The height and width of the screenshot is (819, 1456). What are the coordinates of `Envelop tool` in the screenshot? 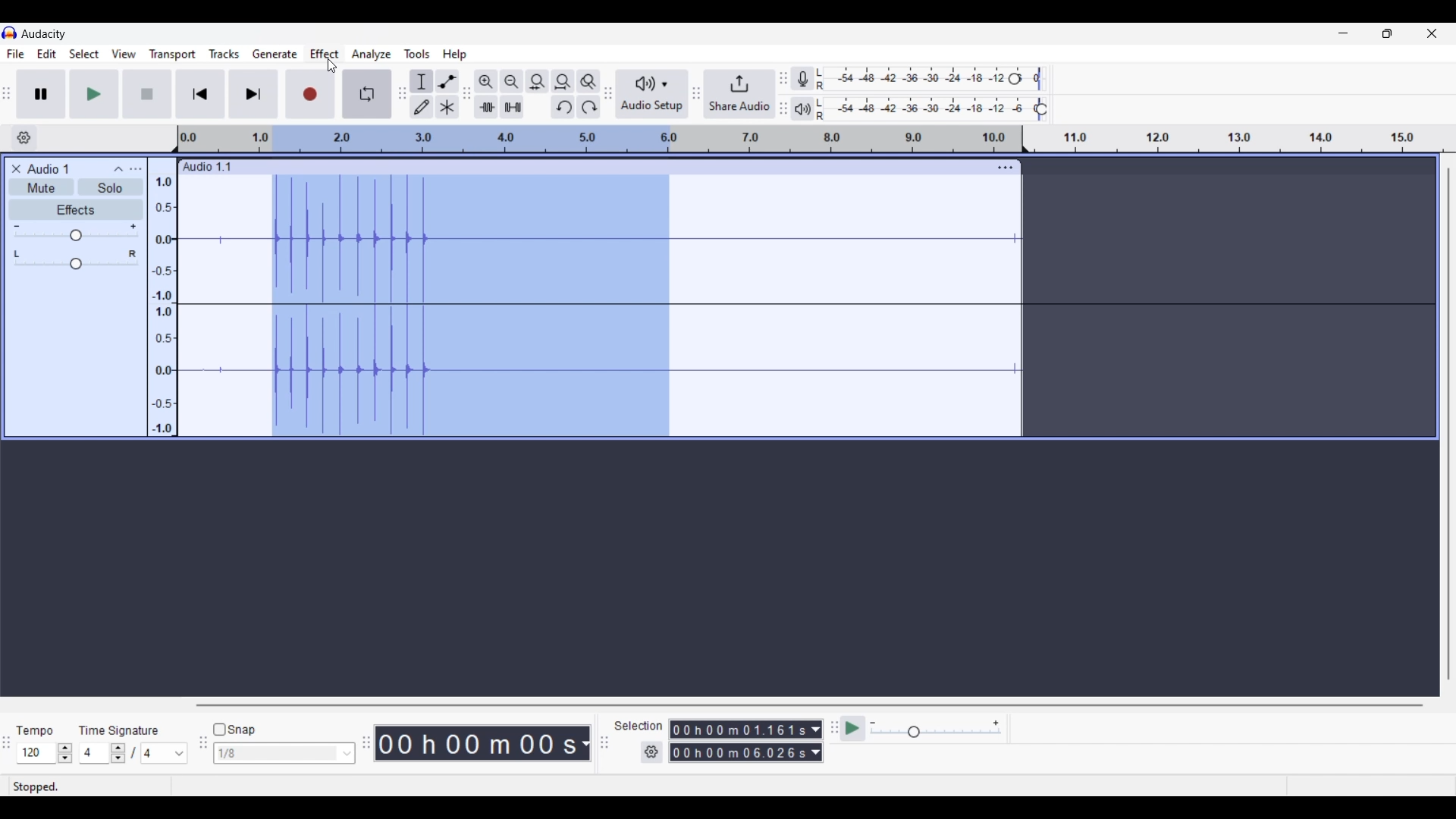 It's located at (447, 80).